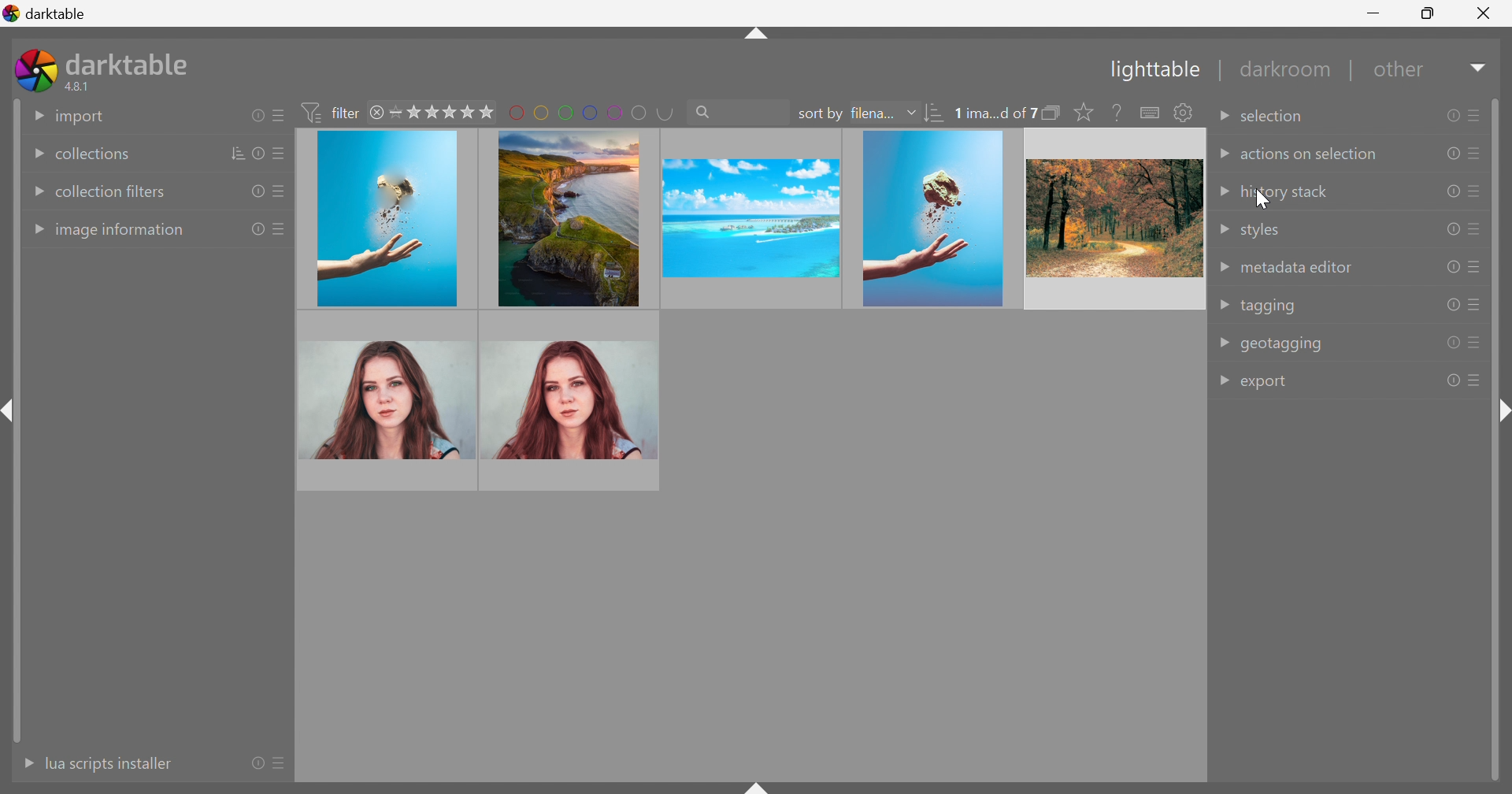 The height and width of the screenshot is (794, 1512). I want to click on import, so click(81, 117).